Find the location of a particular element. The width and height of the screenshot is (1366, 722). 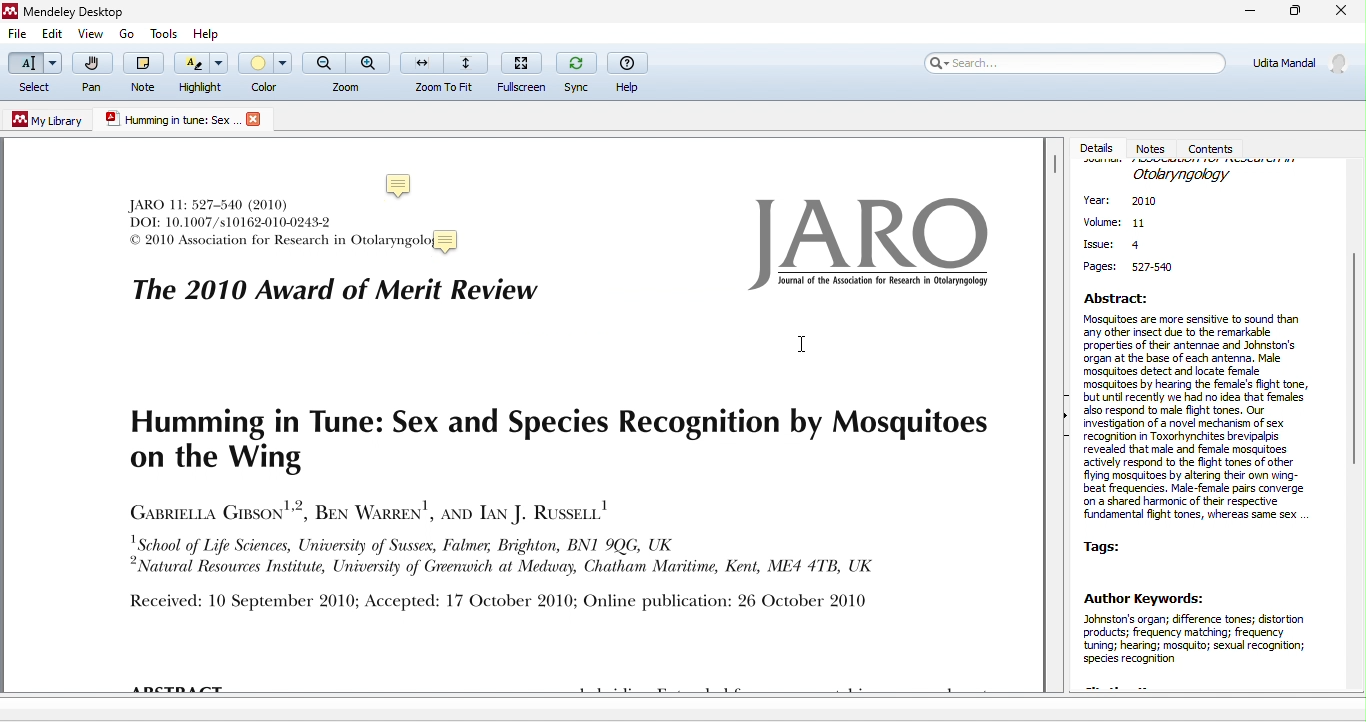

notes is located at coordinates (1154, 147).